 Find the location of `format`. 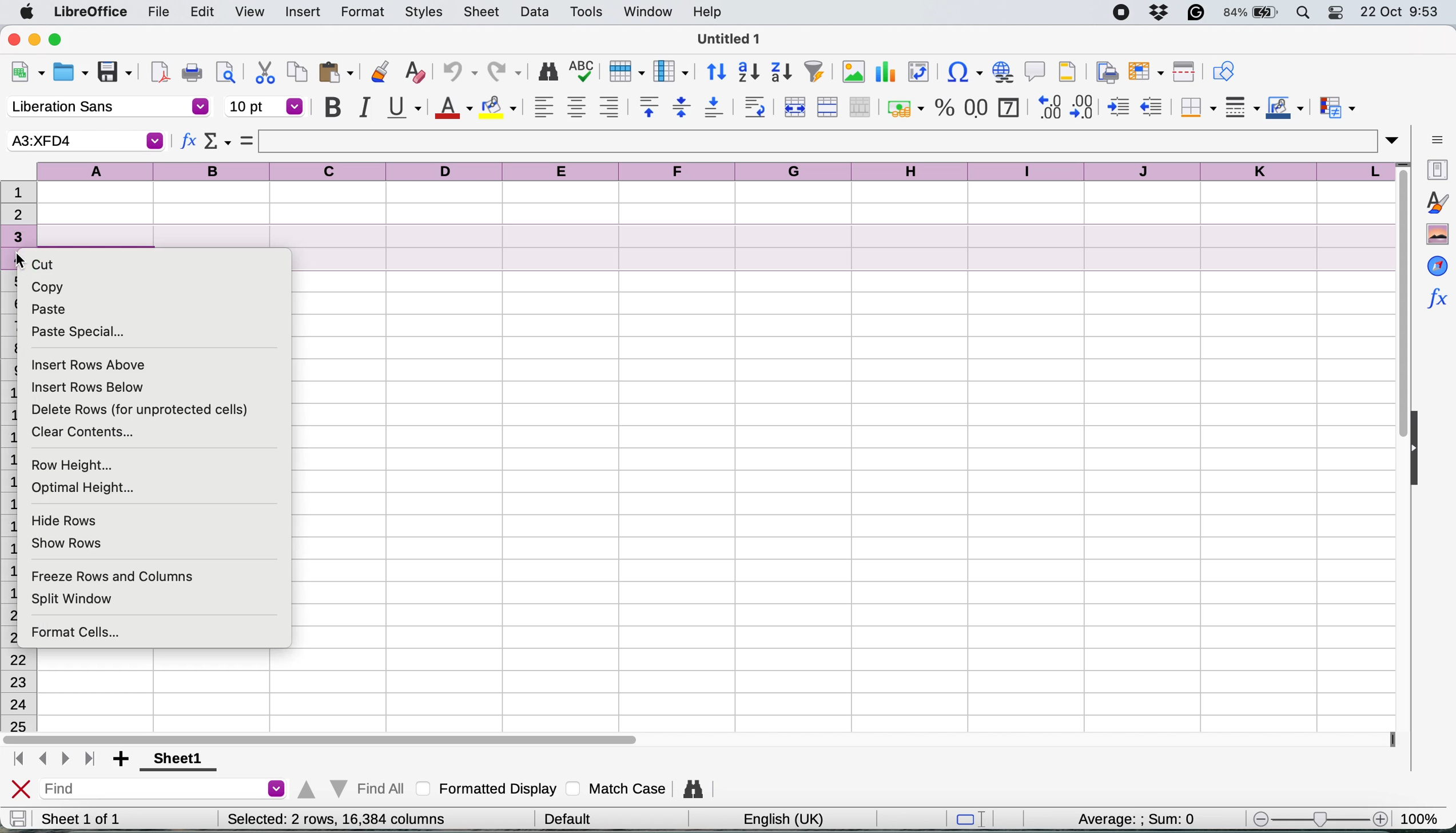

format is located at coordinates (363, 13).